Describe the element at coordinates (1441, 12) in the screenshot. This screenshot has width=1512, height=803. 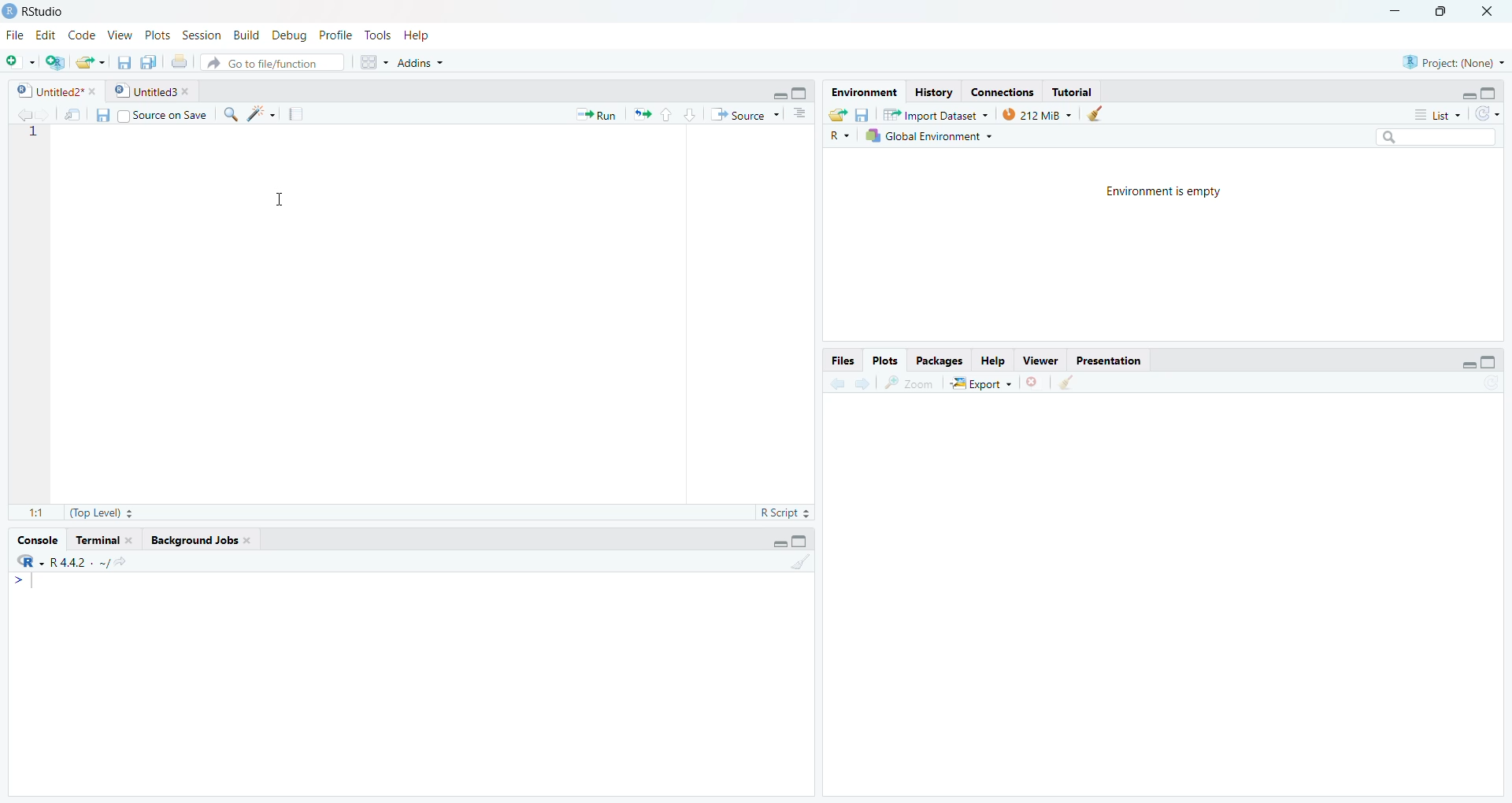
I see `maximize` at that location.